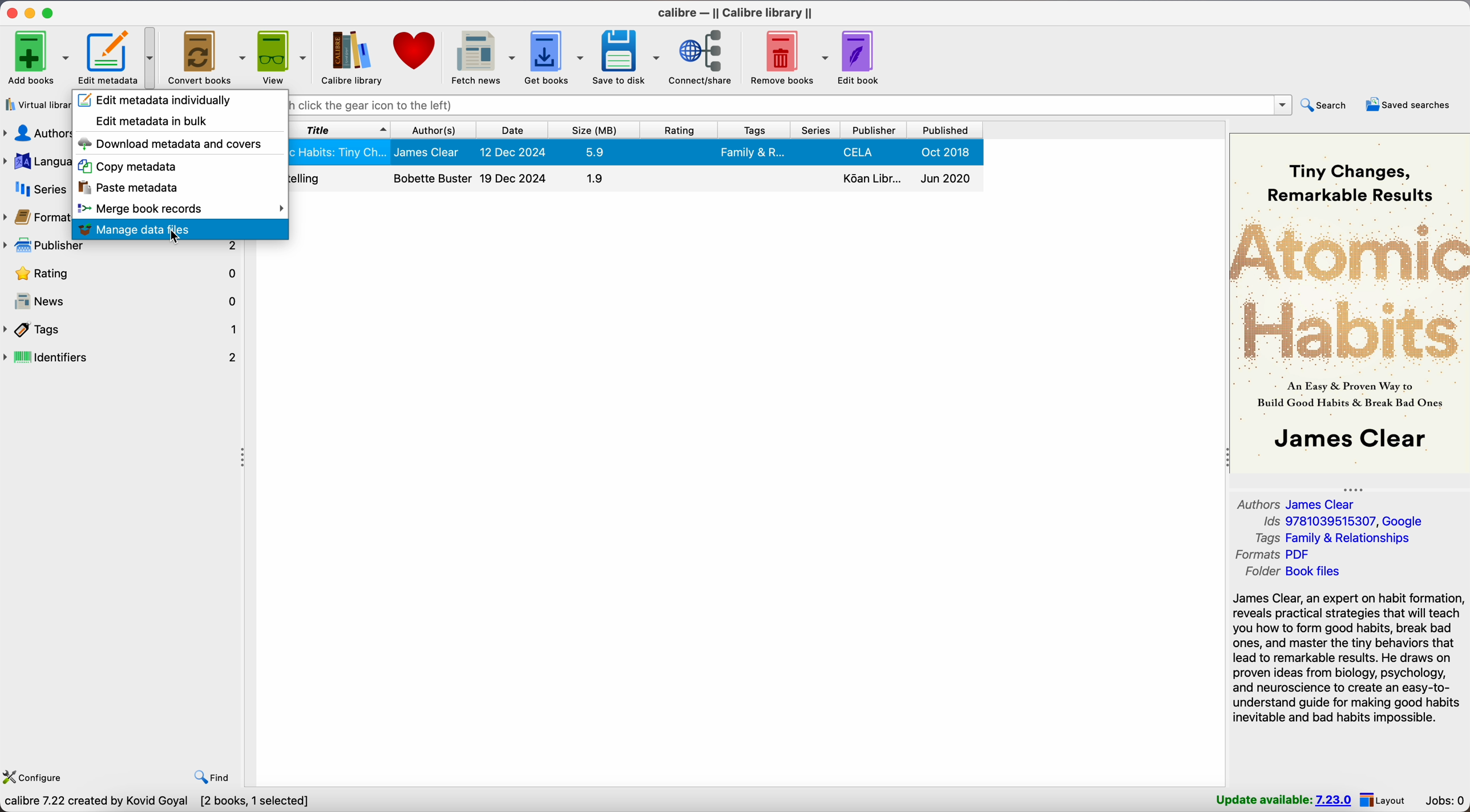 The image size is (1470, 812). Describe the element at coordinates (123, 358) in the screenshot. I see `identifiers` at that location.